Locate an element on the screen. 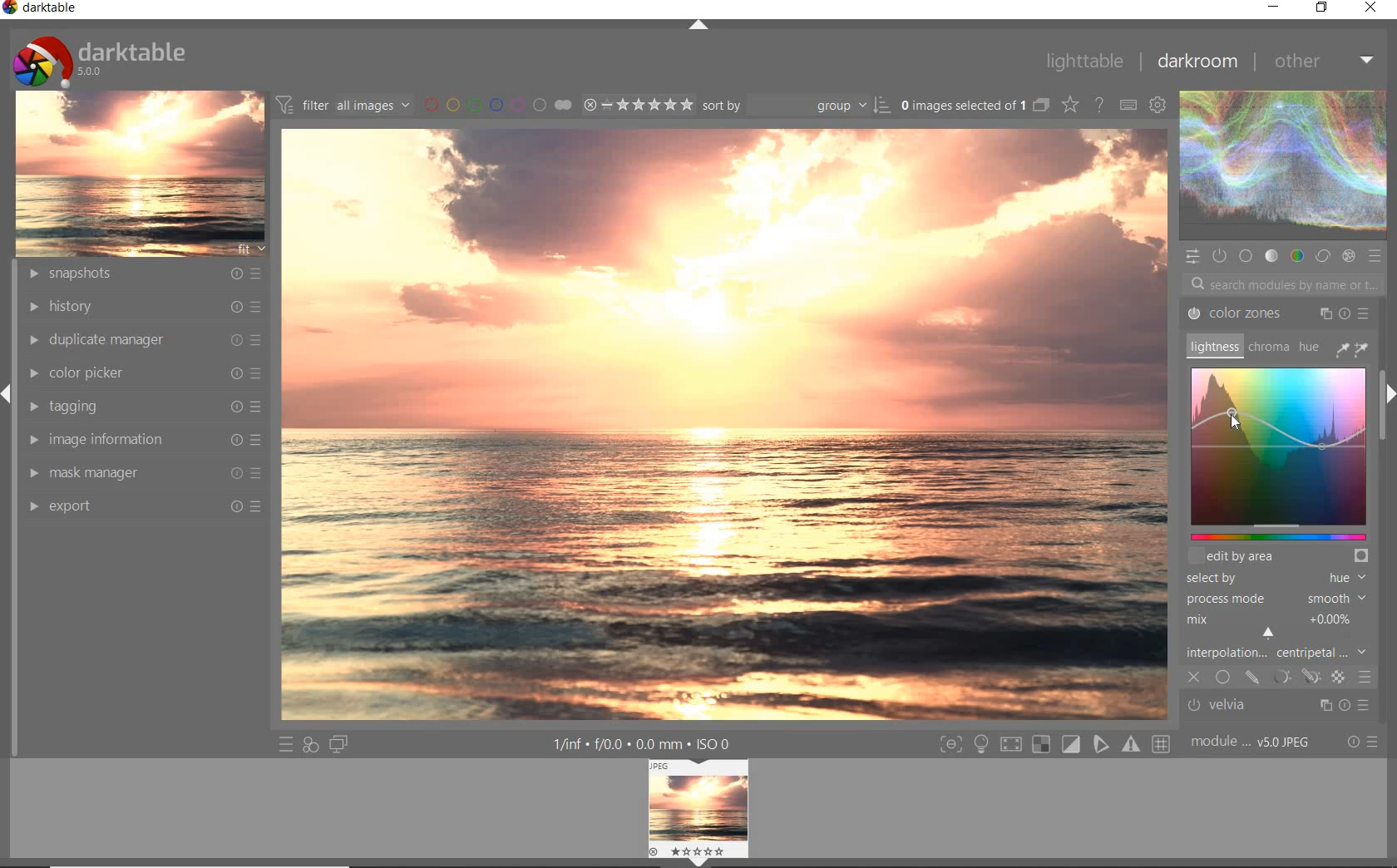  darkroom is located at coordinates (1201, 62).